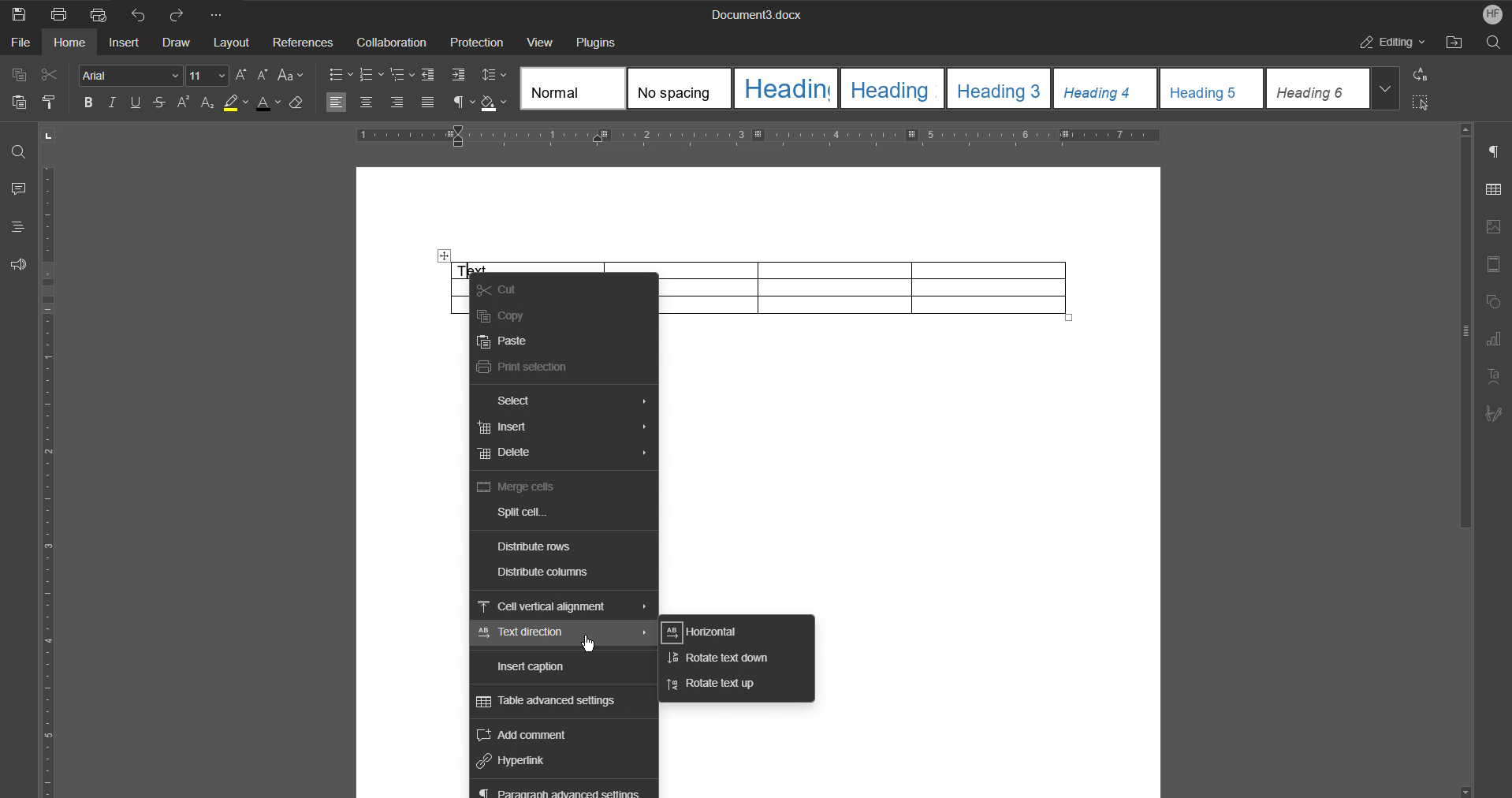  What do you see at coordinates (1495, 261) in the screenshot?
I see `Header/Footer` at bounding box center [1495, 261].